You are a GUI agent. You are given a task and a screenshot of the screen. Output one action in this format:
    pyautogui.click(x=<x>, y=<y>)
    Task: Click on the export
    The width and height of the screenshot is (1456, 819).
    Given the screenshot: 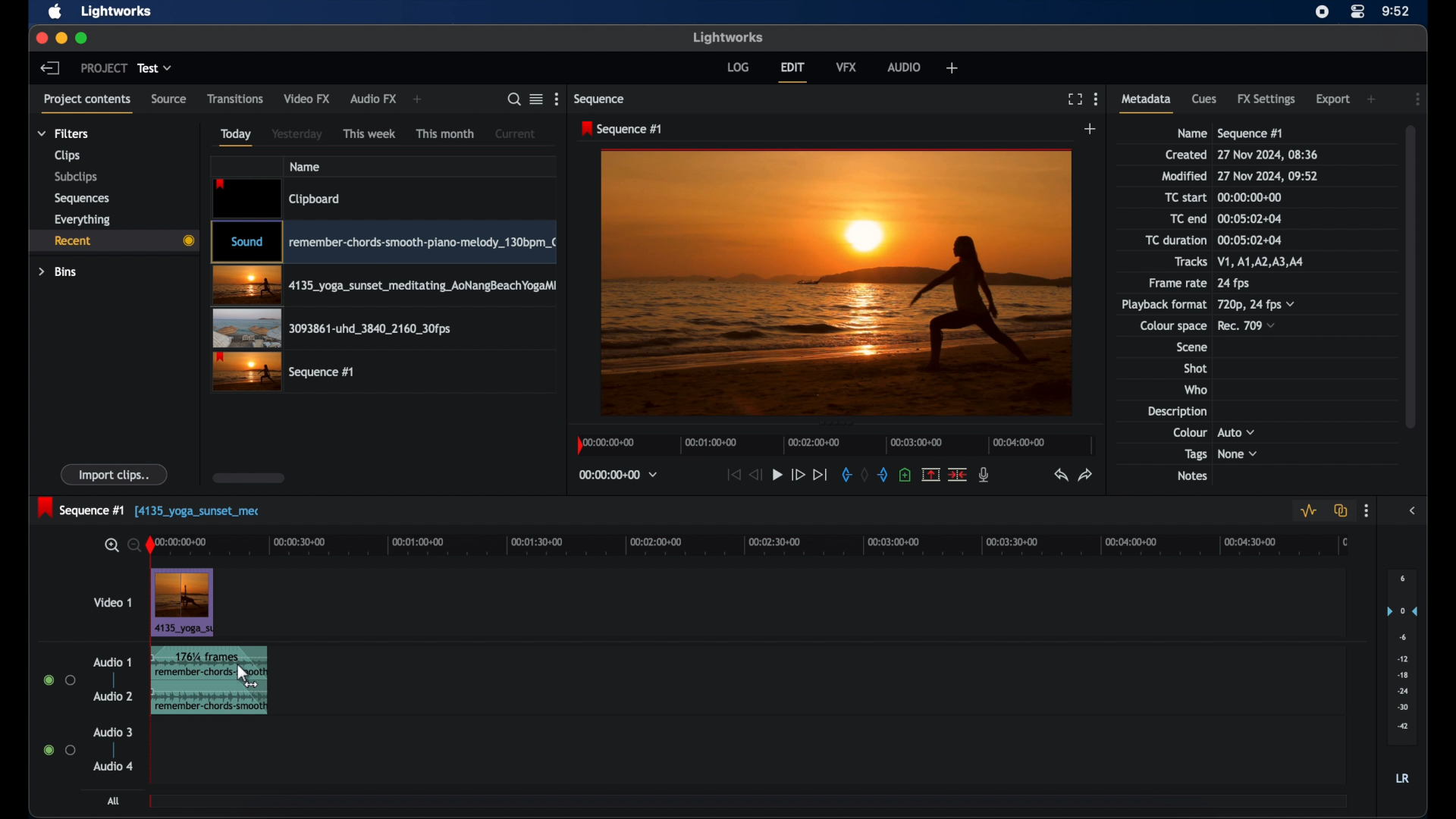 What is the action you would take?
    pyautogui.click(x=1332, y=99)
    